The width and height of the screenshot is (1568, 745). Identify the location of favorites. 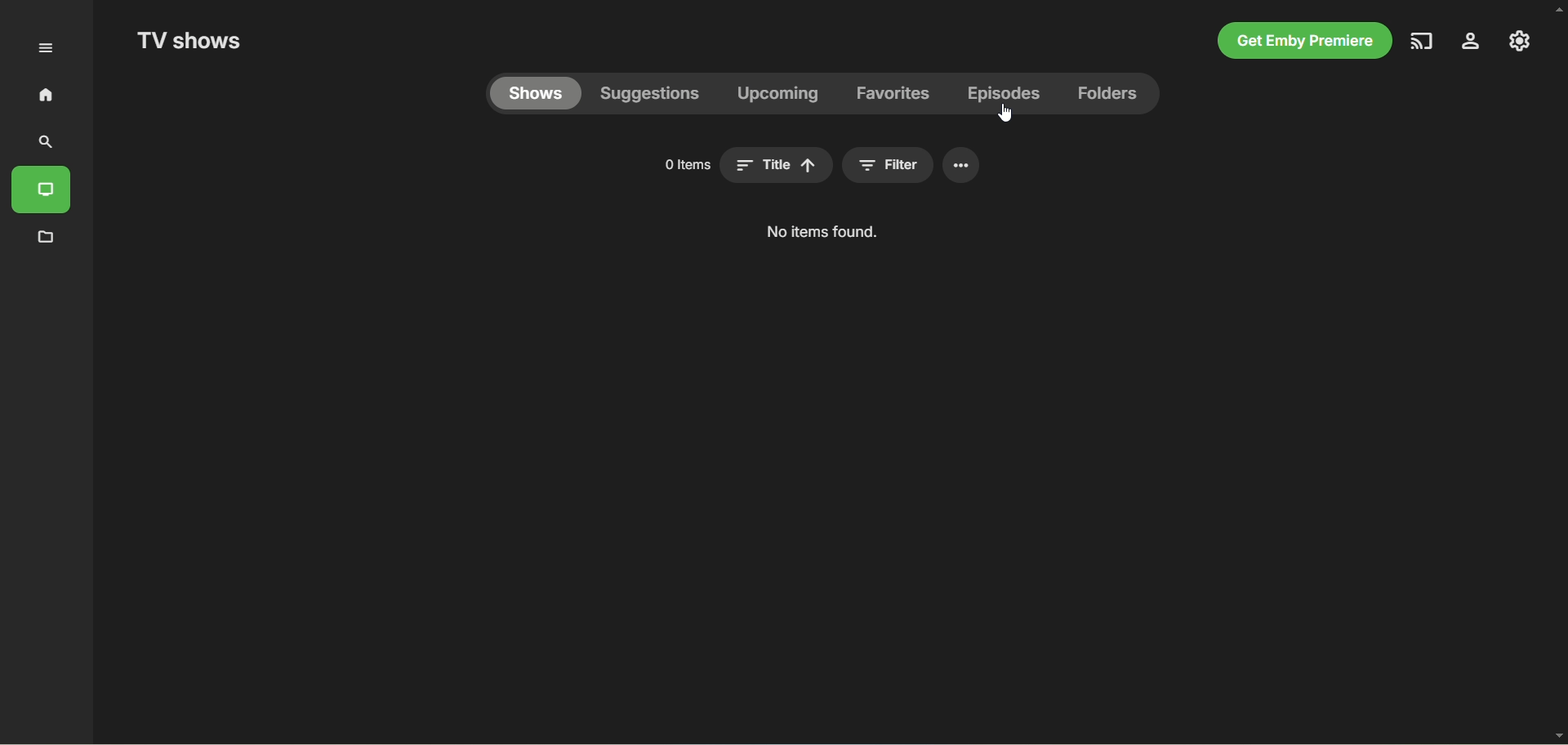
(891, 94).